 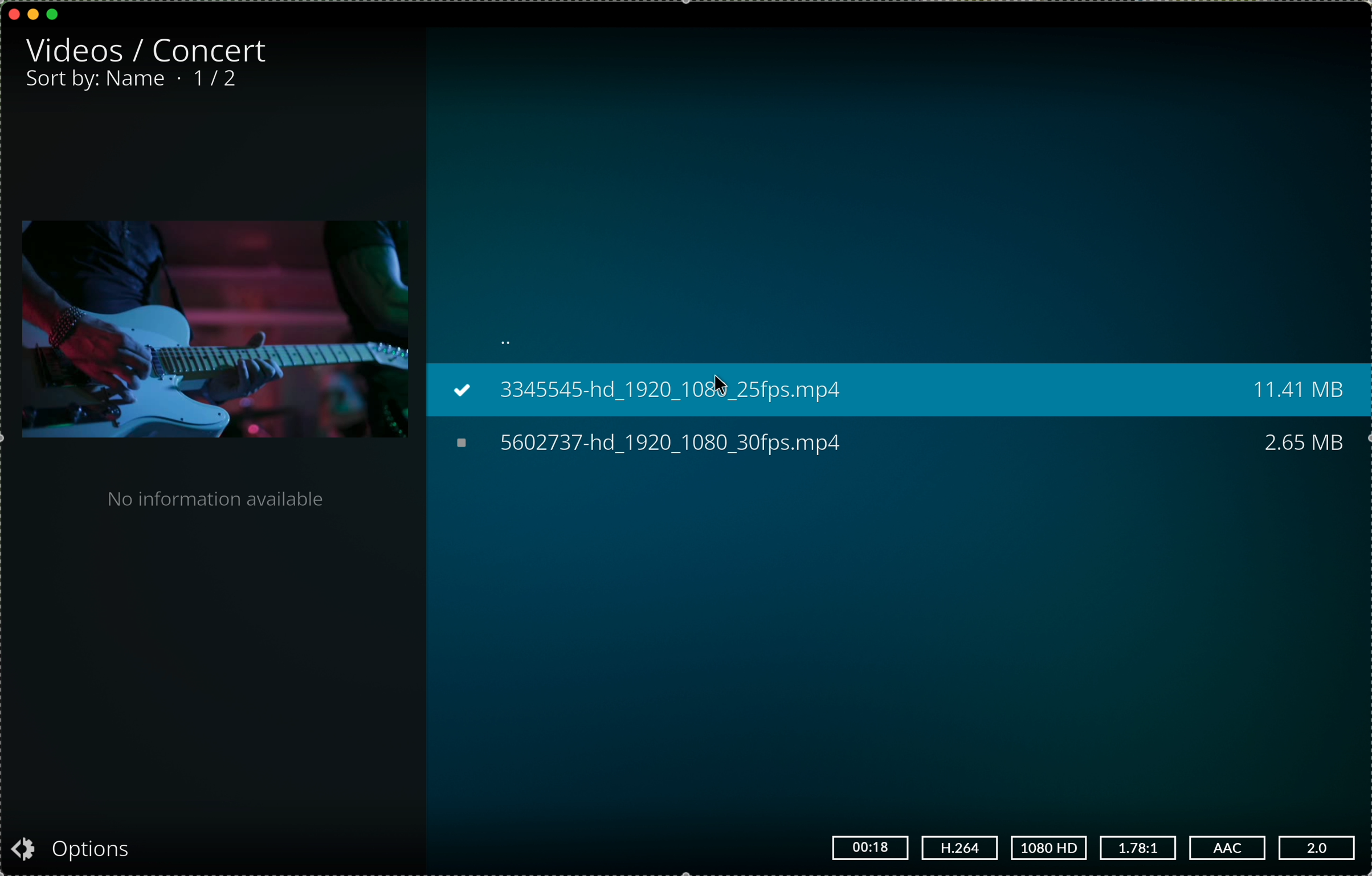 What do you see at coordinates (1050, 850) in the screenshot?
I see `1080 HD` at bounding box center [1050, 850].